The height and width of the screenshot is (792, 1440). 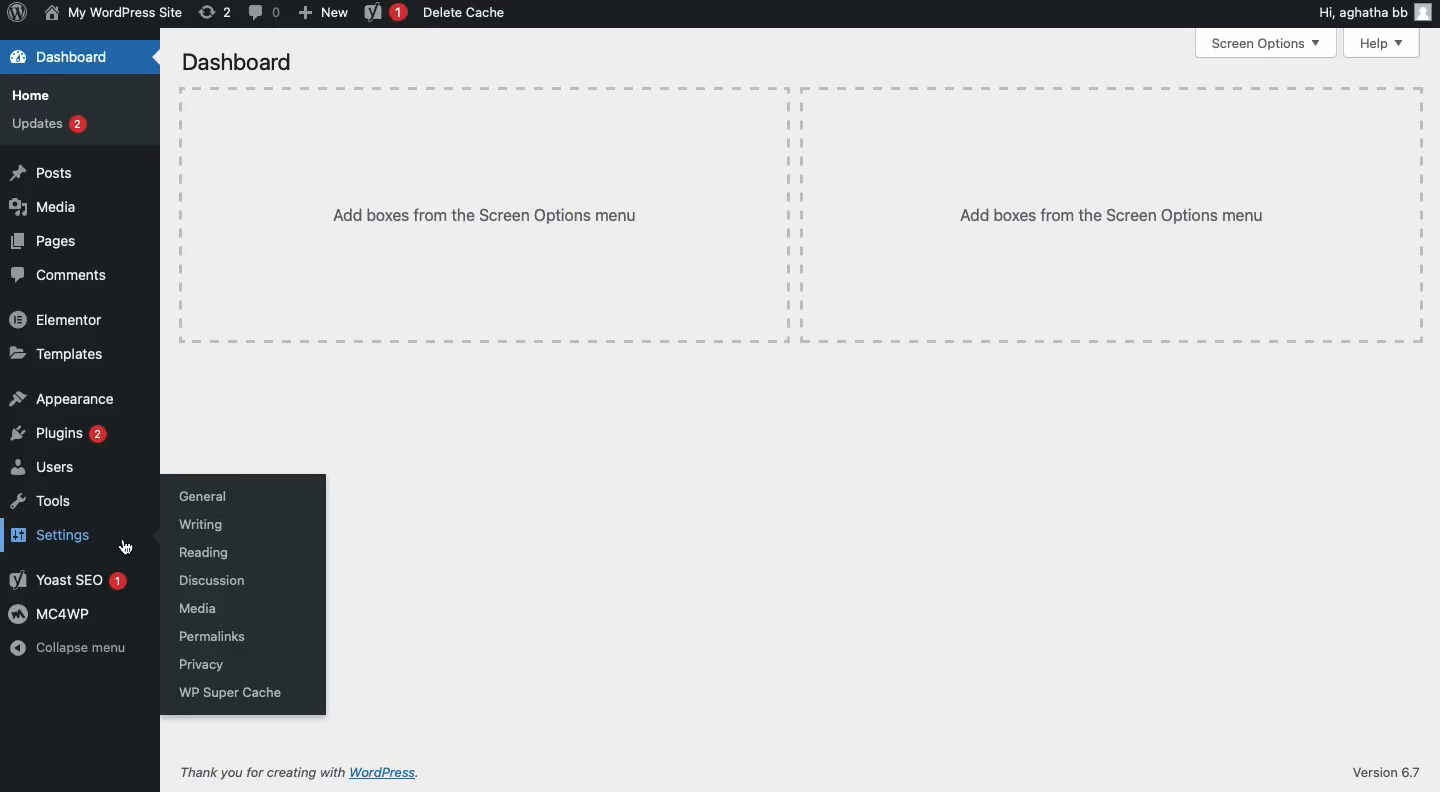 What do you see at coordinates (800, 214) in the screenshot?
I see `Add boxes from the screen options menu` at bounding box center [800, 214].